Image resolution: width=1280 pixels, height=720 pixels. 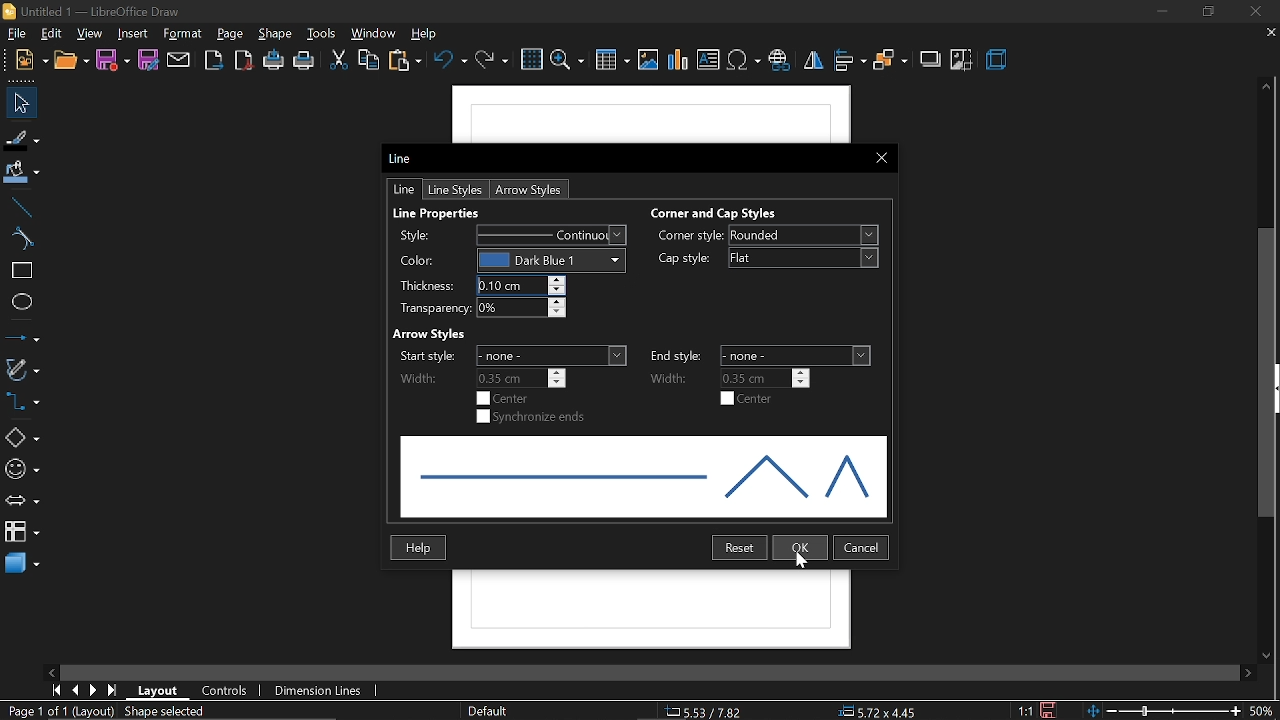 What do you see at coordinates (277, 35) in the screenshot?
I see `shape` at bounding box center [277, 35].